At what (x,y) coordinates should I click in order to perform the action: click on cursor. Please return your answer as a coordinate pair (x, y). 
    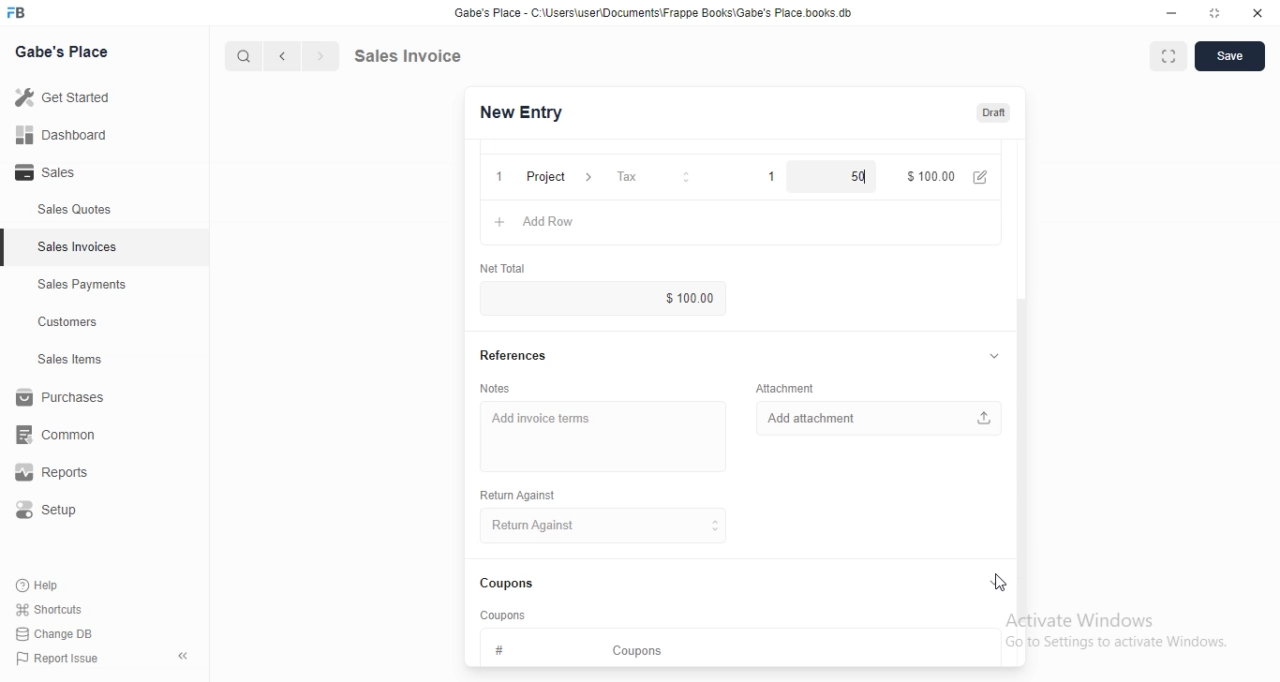
    Looking at the image, I should click on (234, 56).